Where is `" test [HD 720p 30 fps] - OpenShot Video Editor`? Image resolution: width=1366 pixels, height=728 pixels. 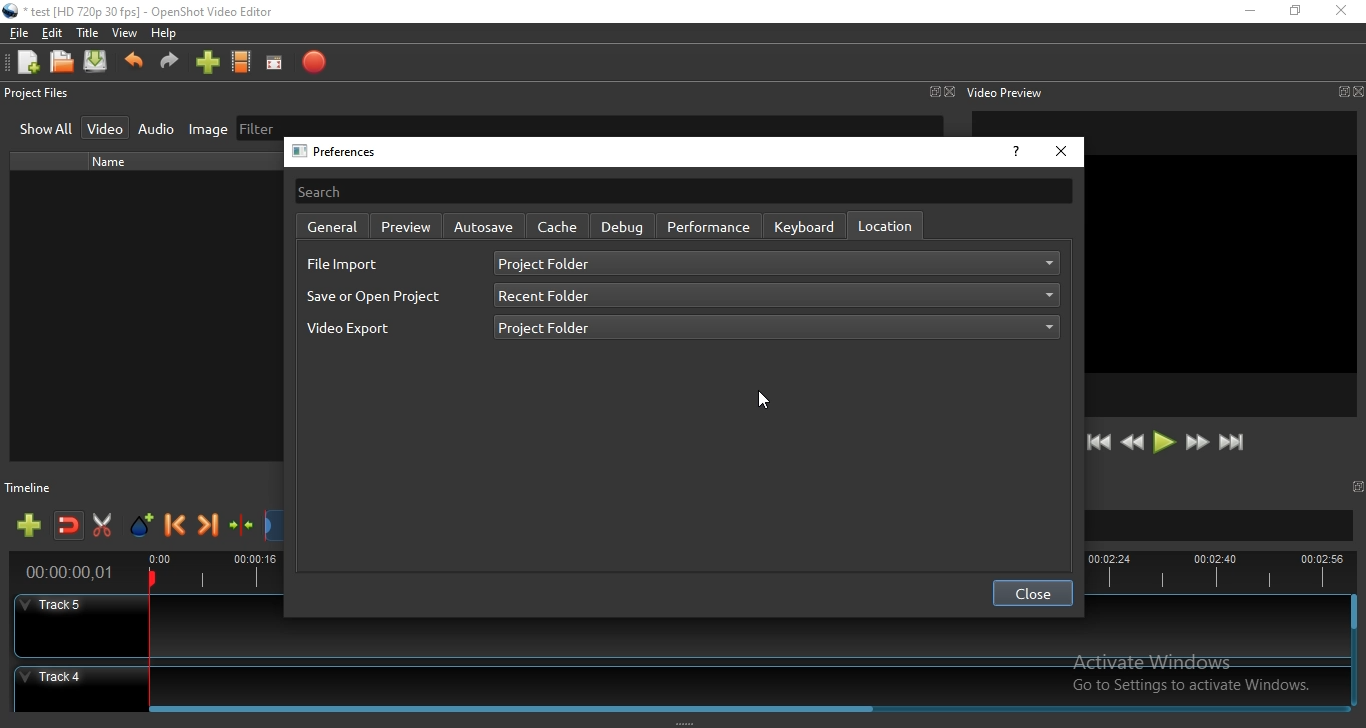 " test [HD 720p 30 fps] - OpenShot Video Editor is located at coordinates (149, 14).